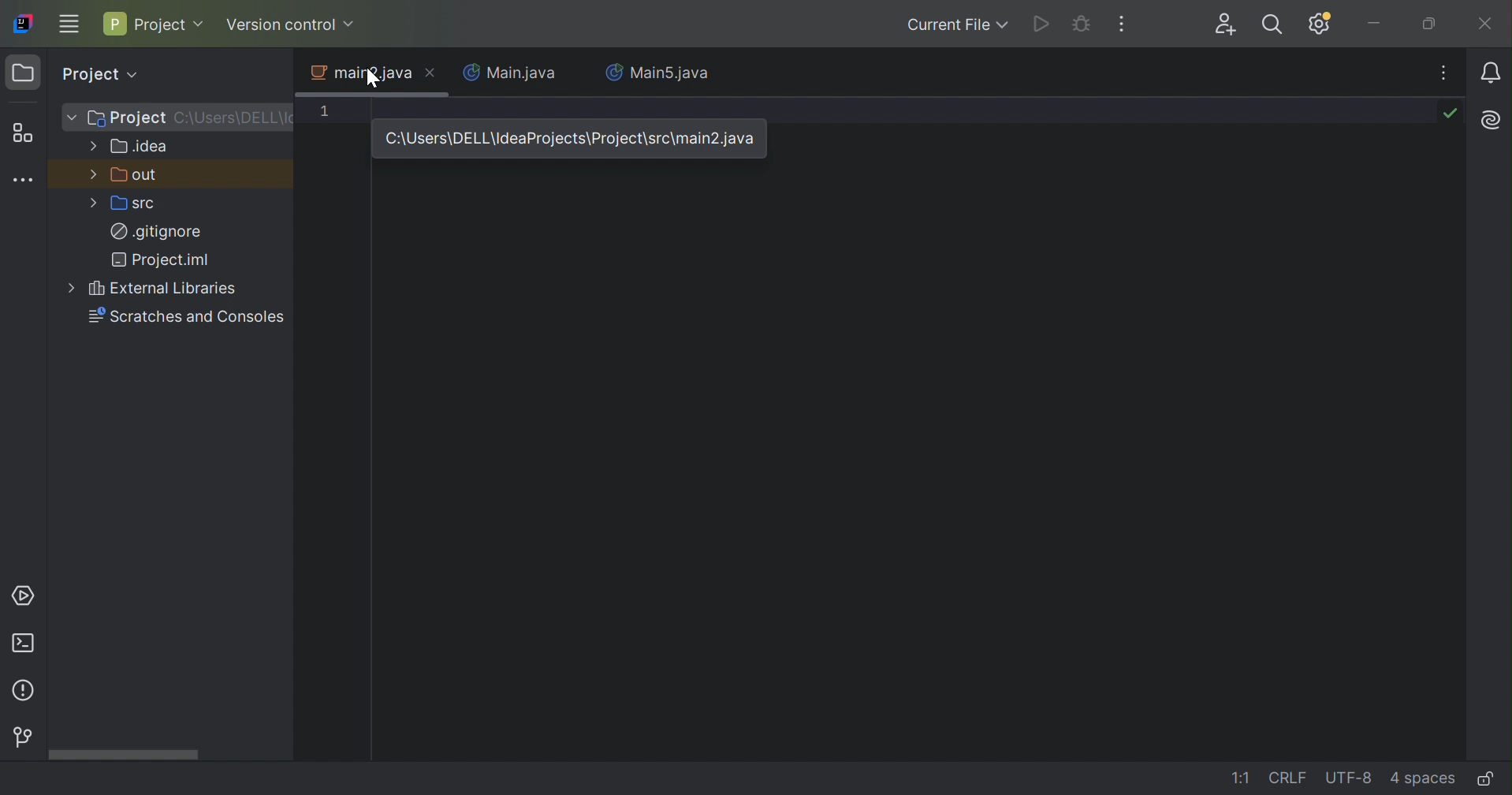 Image resolution: width=1512 pixels, height=795 pixels. What do you see at coordinates (23, 22) in the screenshot?
I see `IntelliJ IDEA icon` at bounding box center [23, 22].